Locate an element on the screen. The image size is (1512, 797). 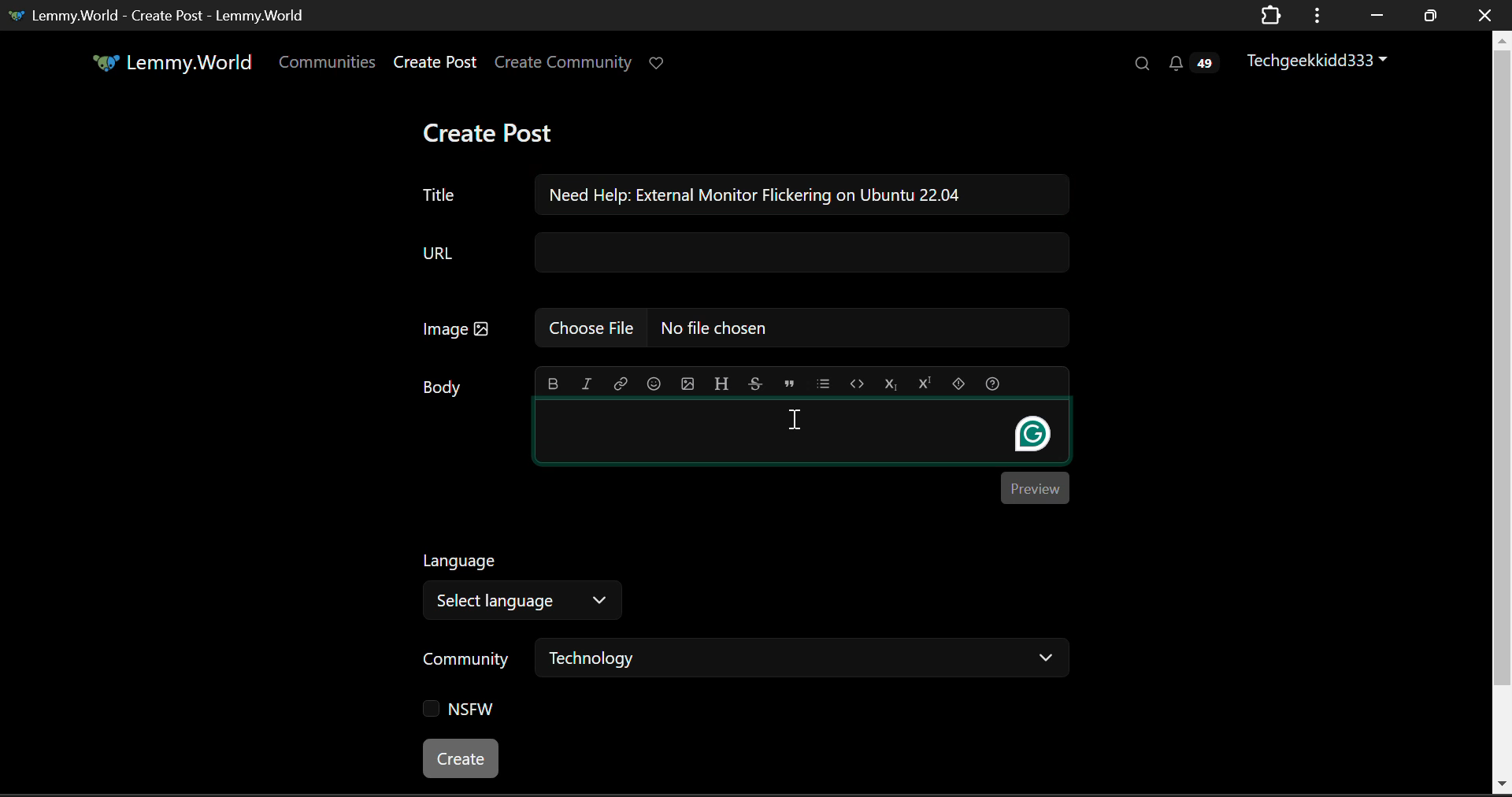
Lemmy.World is located at coordinates (162, 62).